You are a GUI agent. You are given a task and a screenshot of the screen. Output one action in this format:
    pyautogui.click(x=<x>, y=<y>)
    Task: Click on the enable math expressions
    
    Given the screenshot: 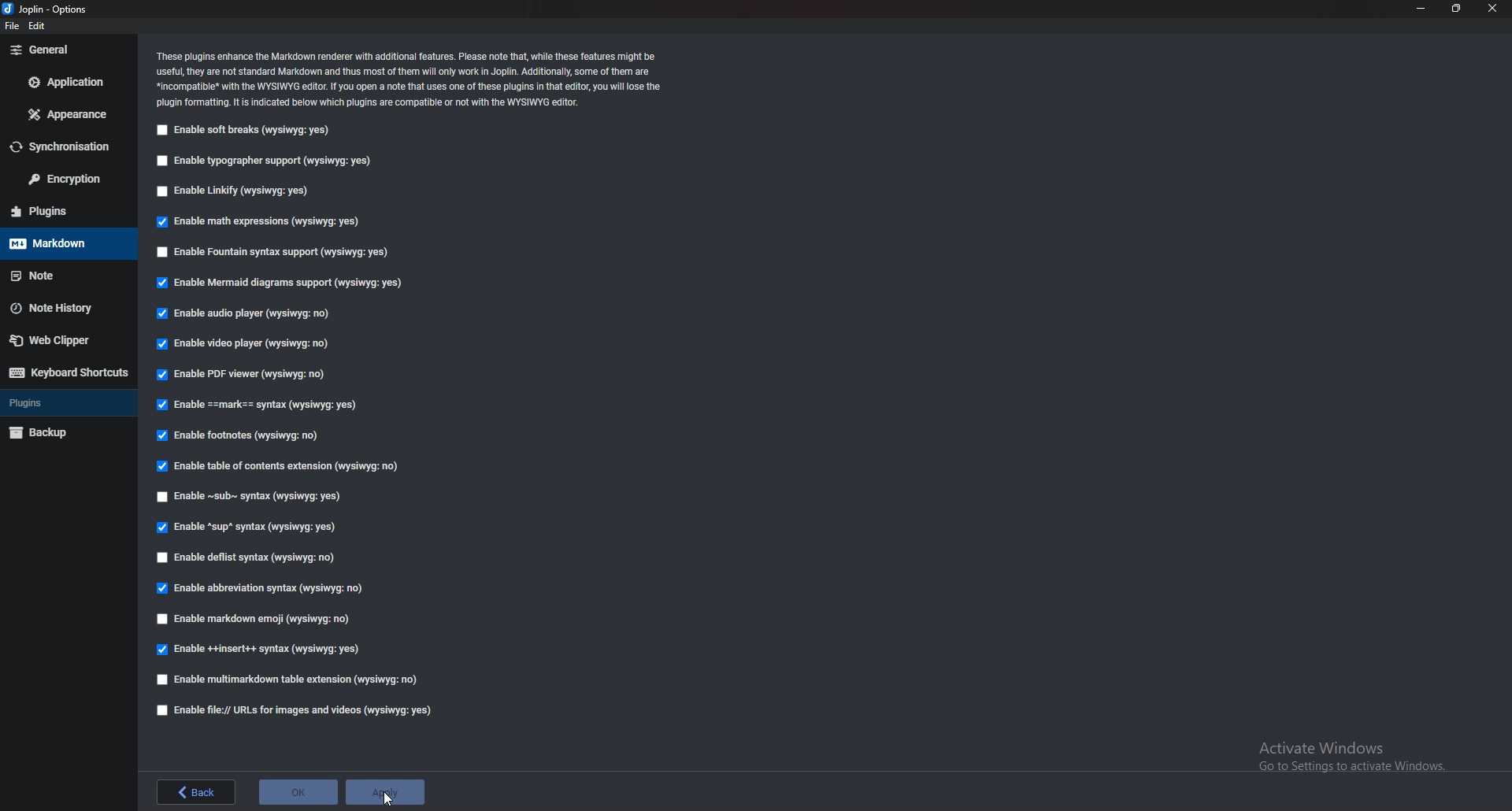 What is the action you would take?
    pyautogui.click(x=261, y=221)
    